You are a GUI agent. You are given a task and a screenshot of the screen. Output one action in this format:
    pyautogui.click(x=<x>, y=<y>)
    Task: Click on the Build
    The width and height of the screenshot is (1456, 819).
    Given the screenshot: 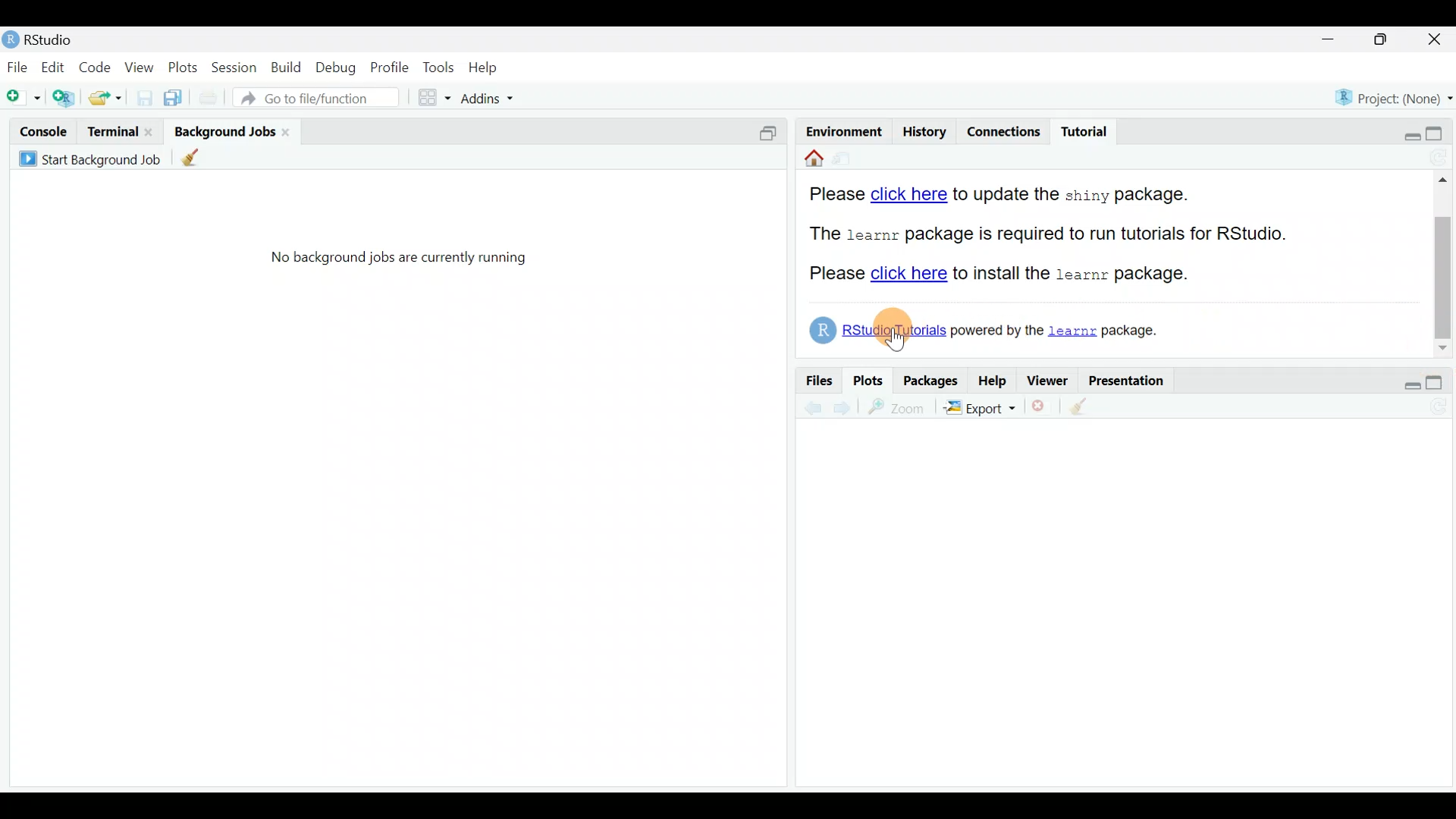 What is the action you would take?
    pyautogui.click(x=285, y=72)
    